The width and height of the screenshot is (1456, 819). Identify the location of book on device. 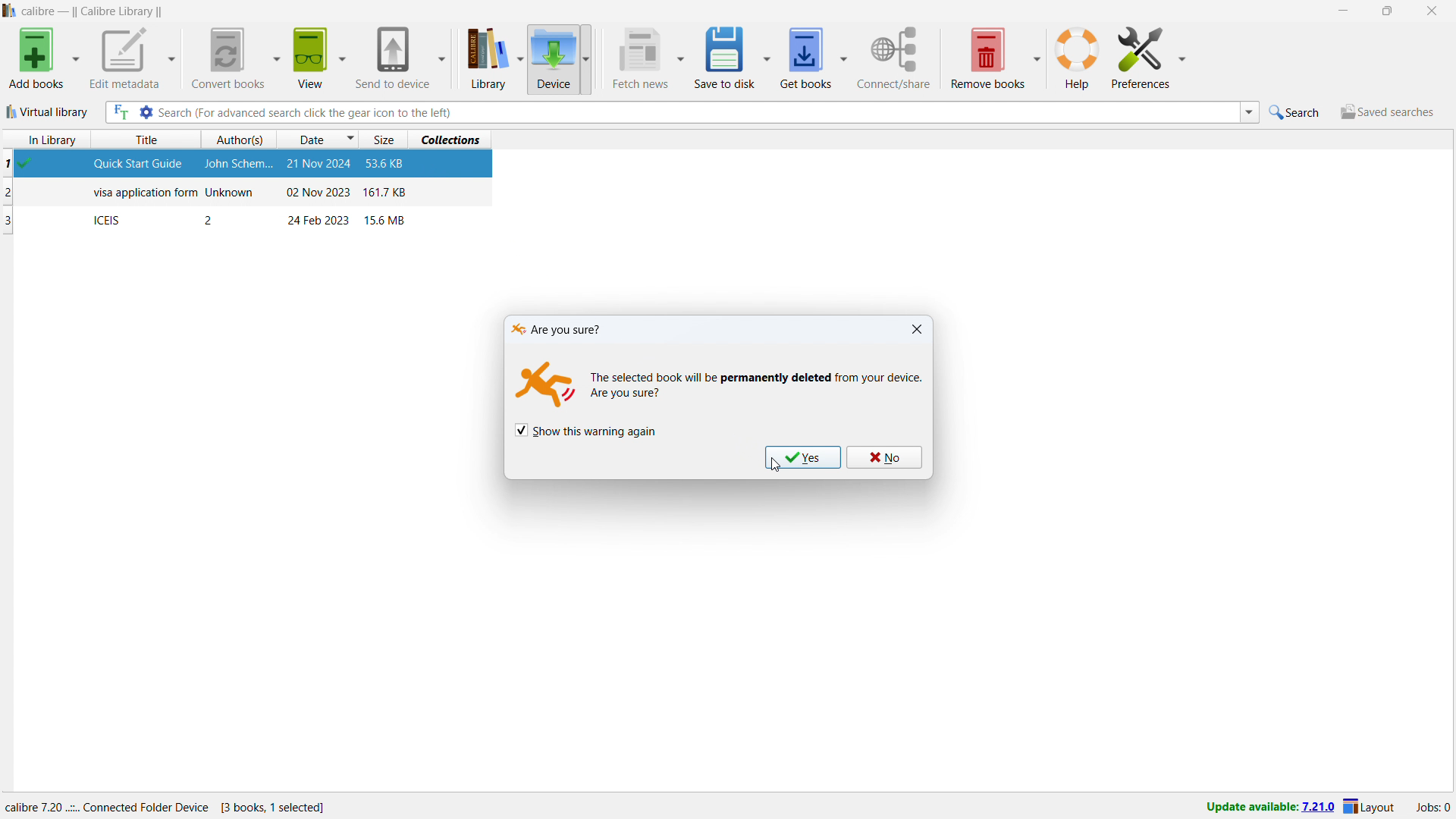
(248, 220).